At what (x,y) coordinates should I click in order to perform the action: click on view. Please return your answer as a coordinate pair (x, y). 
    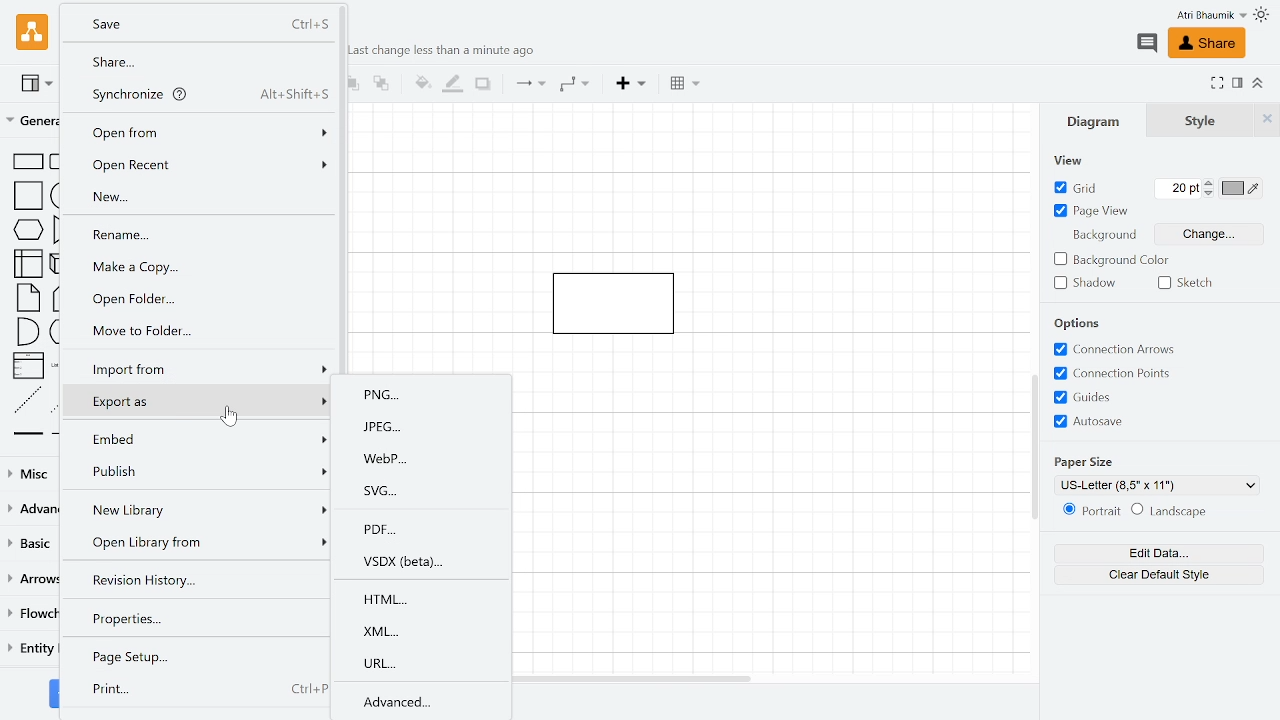
    Looking at the image, I should click on (1067, 160).